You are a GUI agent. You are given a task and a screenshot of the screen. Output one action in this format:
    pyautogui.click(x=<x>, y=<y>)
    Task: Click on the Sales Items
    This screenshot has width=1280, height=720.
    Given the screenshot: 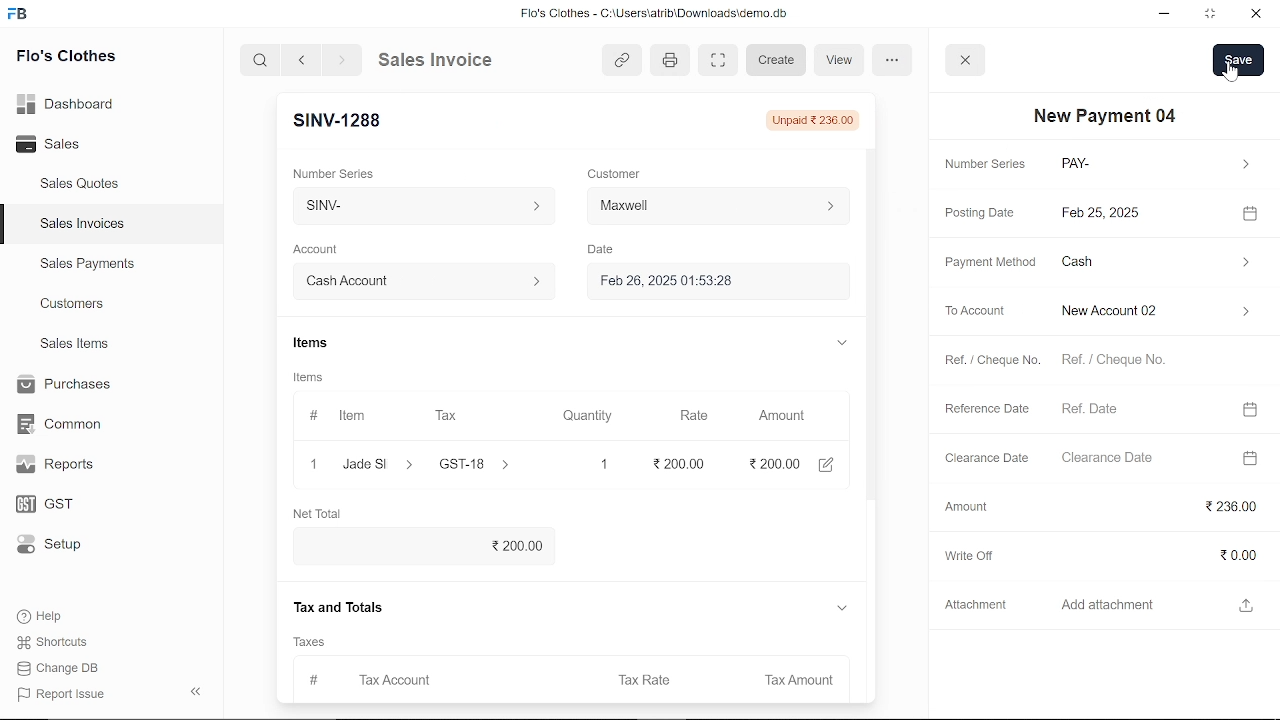 What is the action you would take?
    pyautogui.click(x=74, y=346)
    